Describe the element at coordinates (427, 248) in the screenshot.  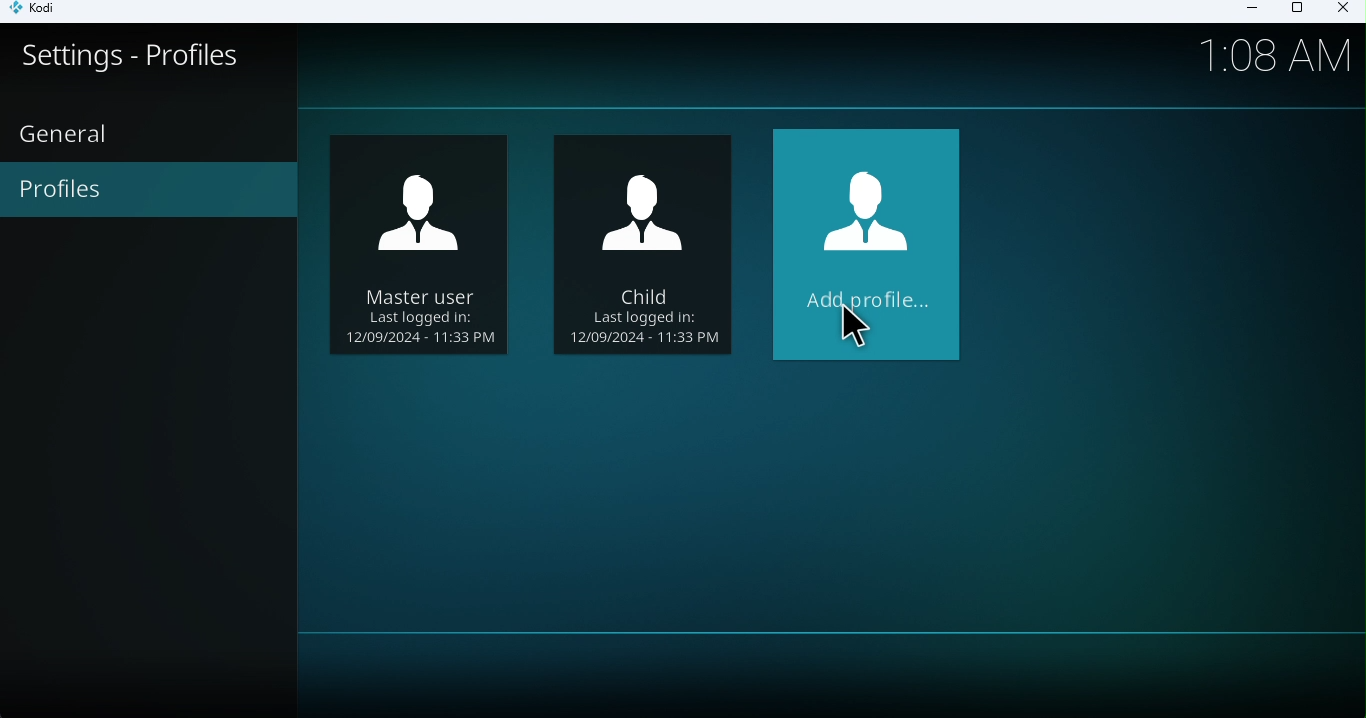
I see `Child` at that location.